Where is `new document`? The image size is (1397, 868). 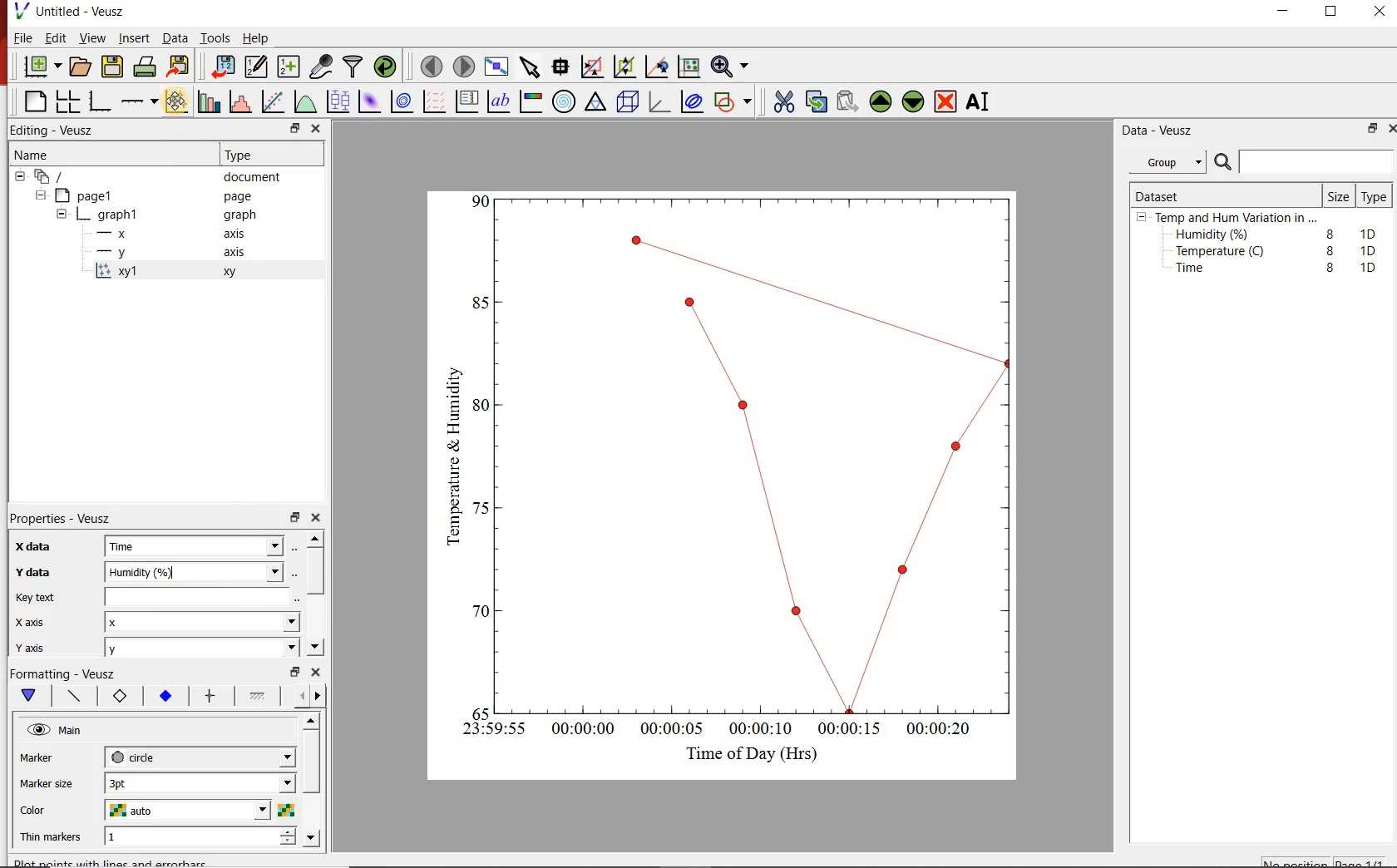 new document is located at coordinates (41, 67).